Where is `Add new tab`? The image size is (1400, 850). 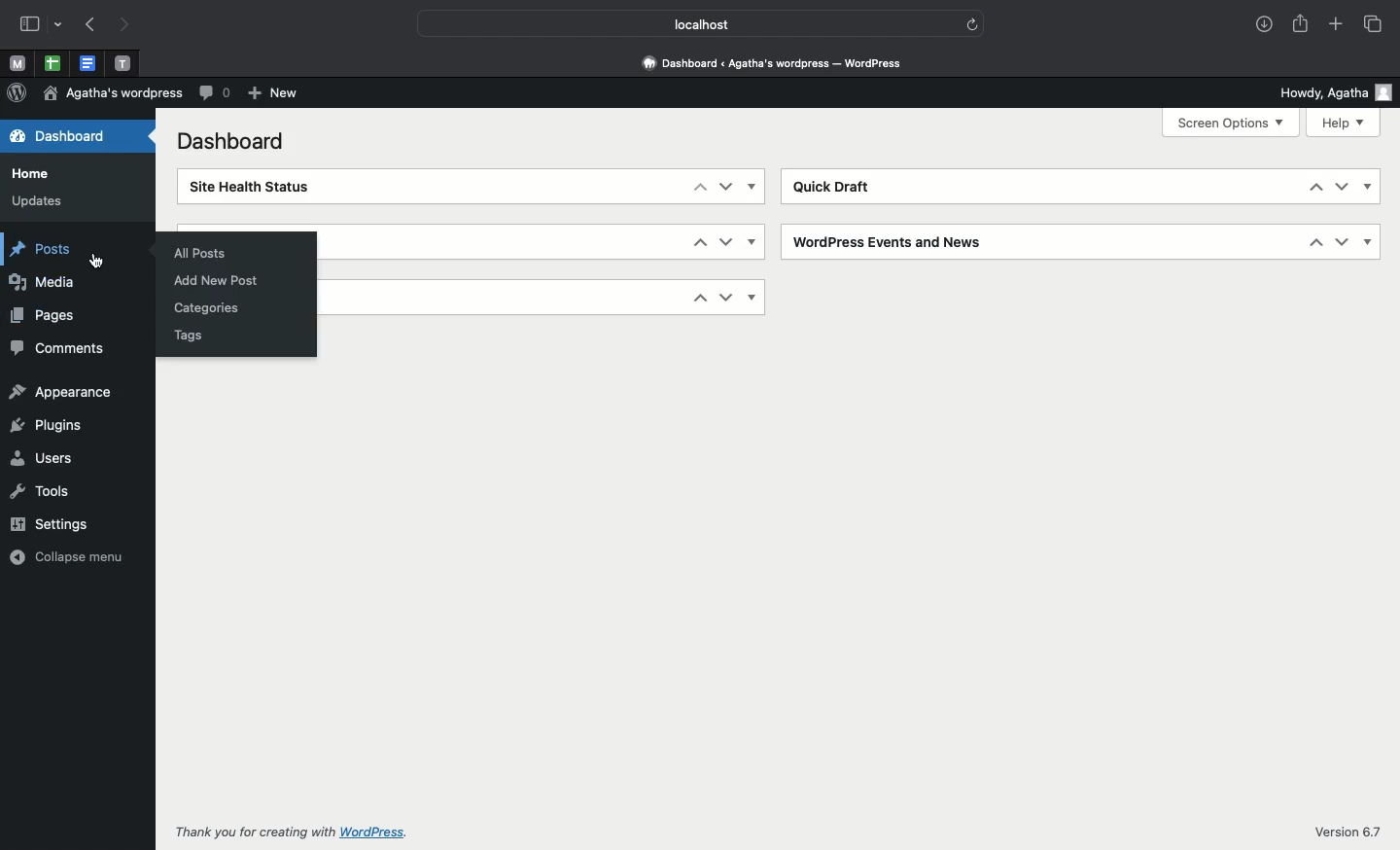 Add new tab is located at coordinates (1338, 27).